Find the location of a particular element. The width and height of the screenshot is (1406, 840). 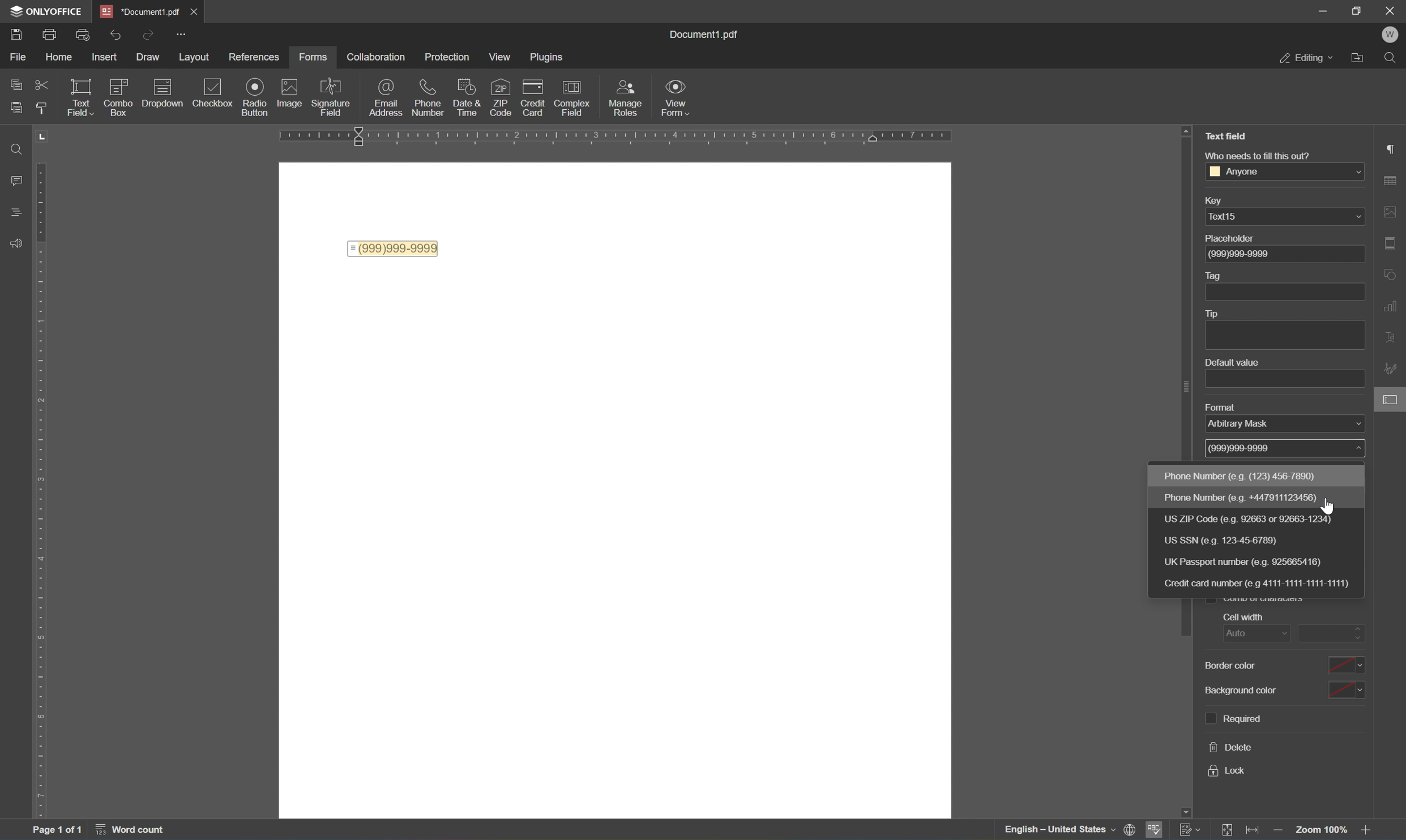

forms is located at coordinates (314, 58).